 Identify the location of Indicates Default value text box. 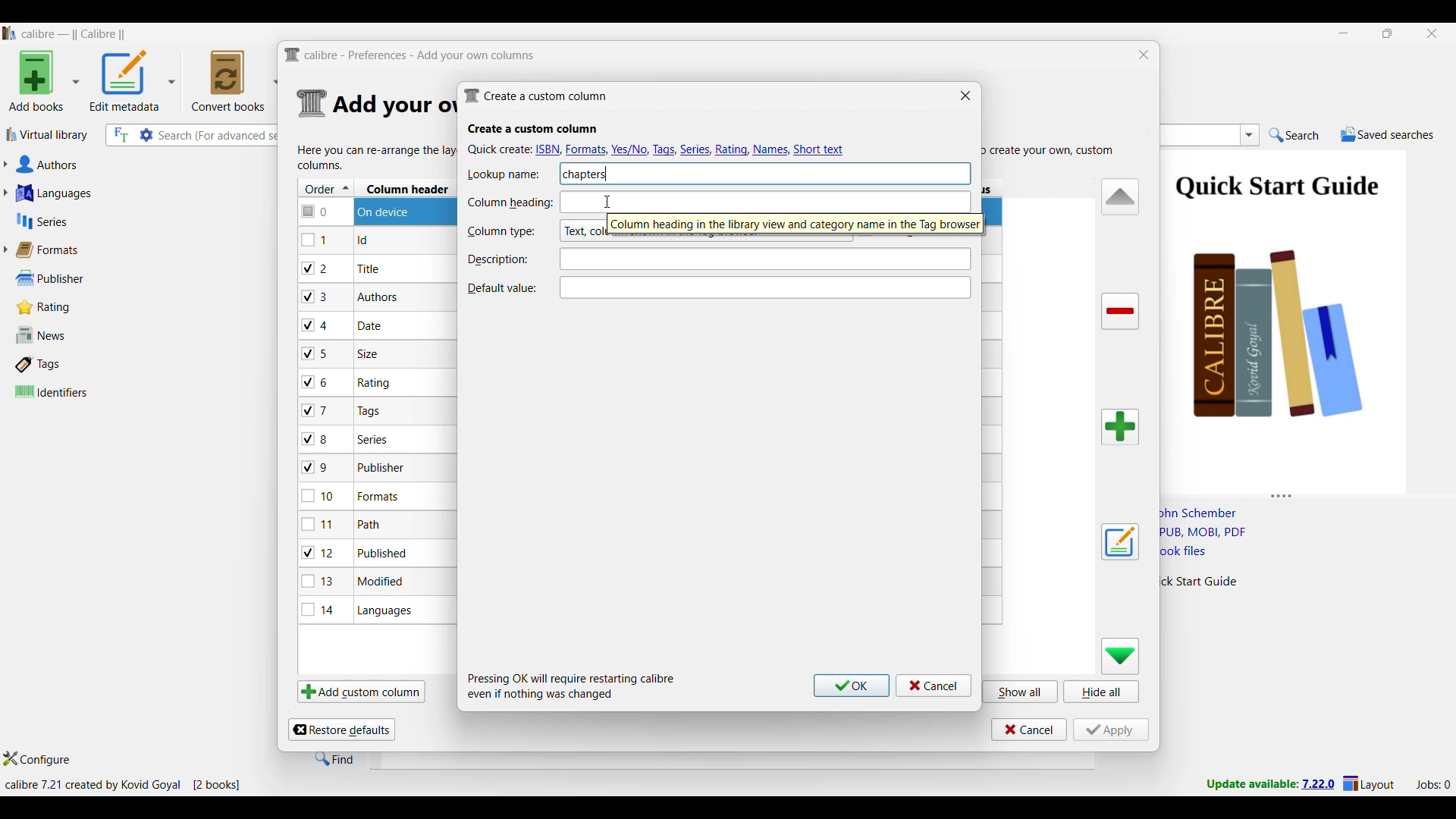
(501, 288).